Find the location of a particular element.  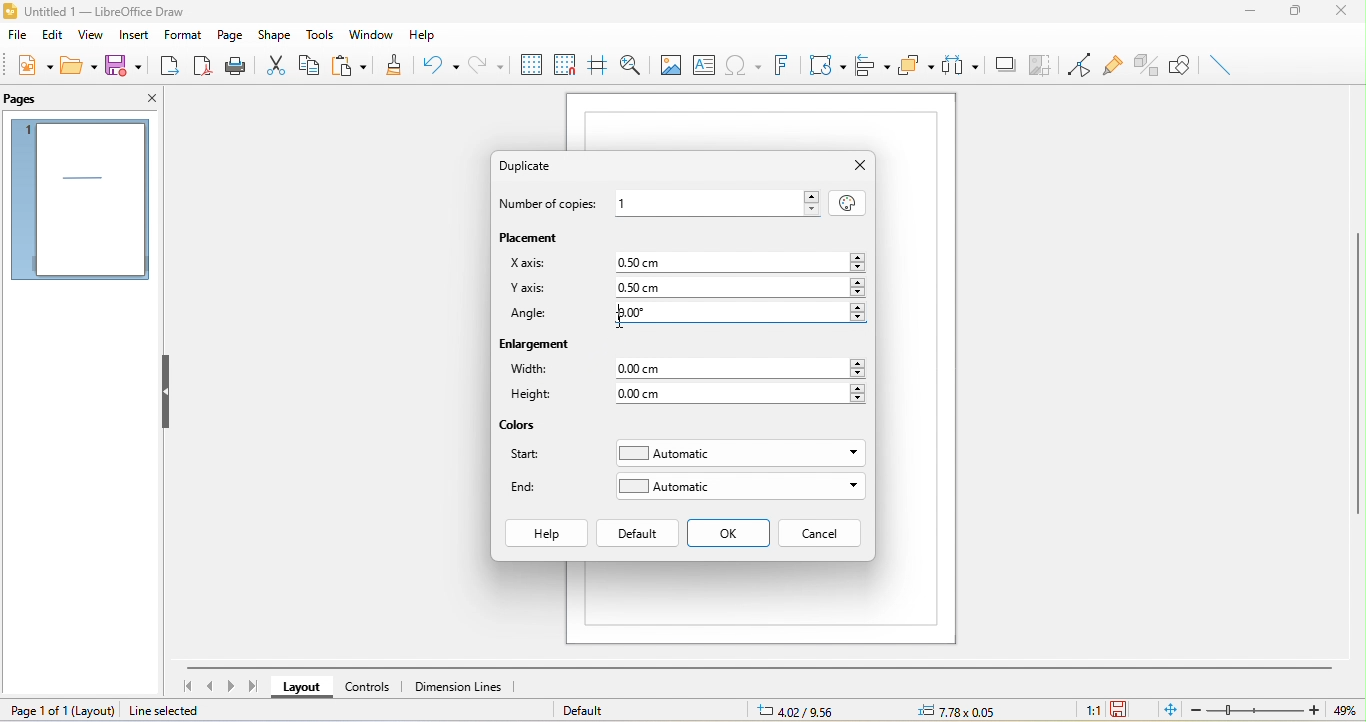

page 1 of 1 is located at coordinates (63, 710).